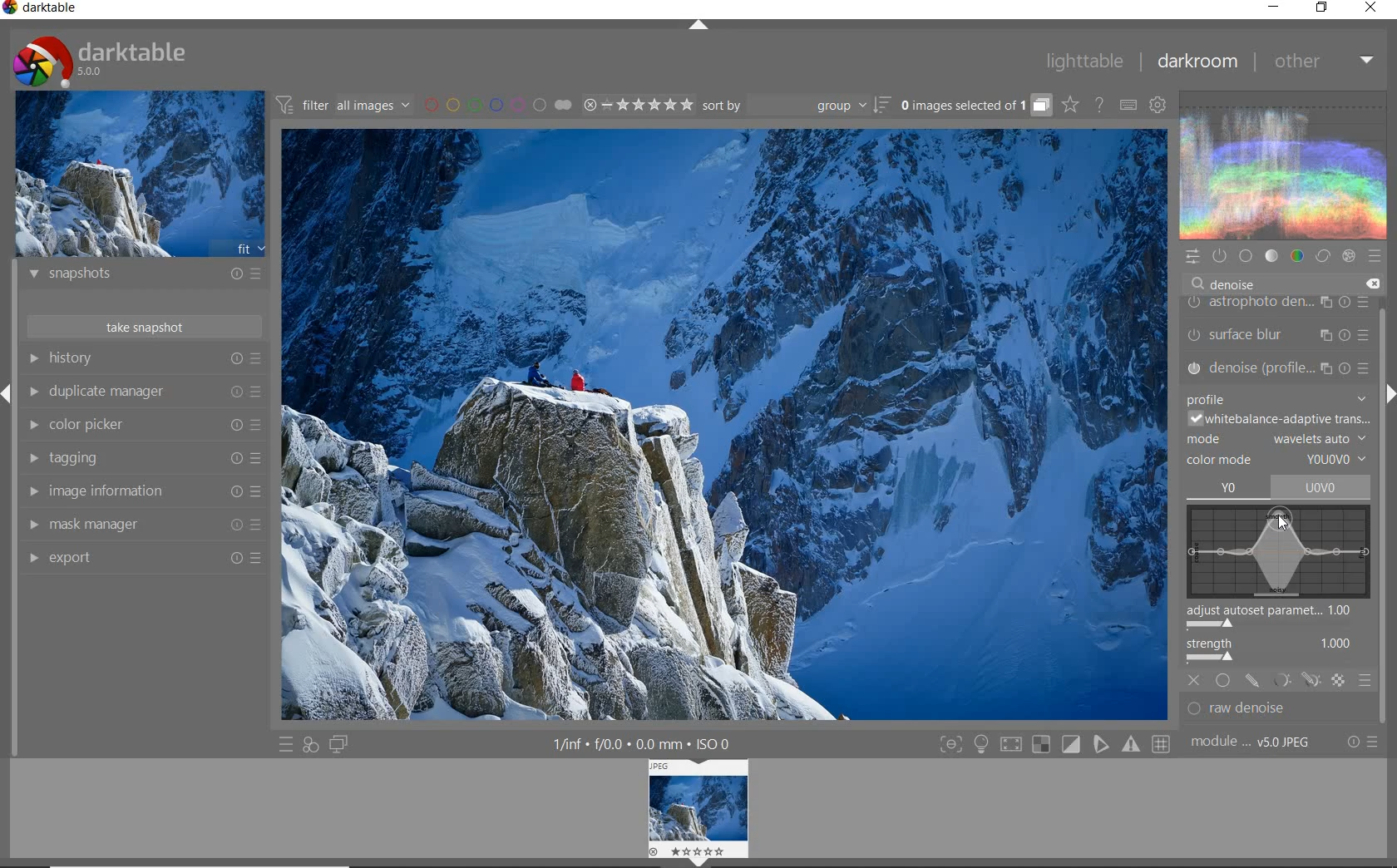 This screenshot has width=1397, height=868. What do you see at coordinates (141, 425) in the screenshot?
I see `color picker` at bounding box center [141, 425].